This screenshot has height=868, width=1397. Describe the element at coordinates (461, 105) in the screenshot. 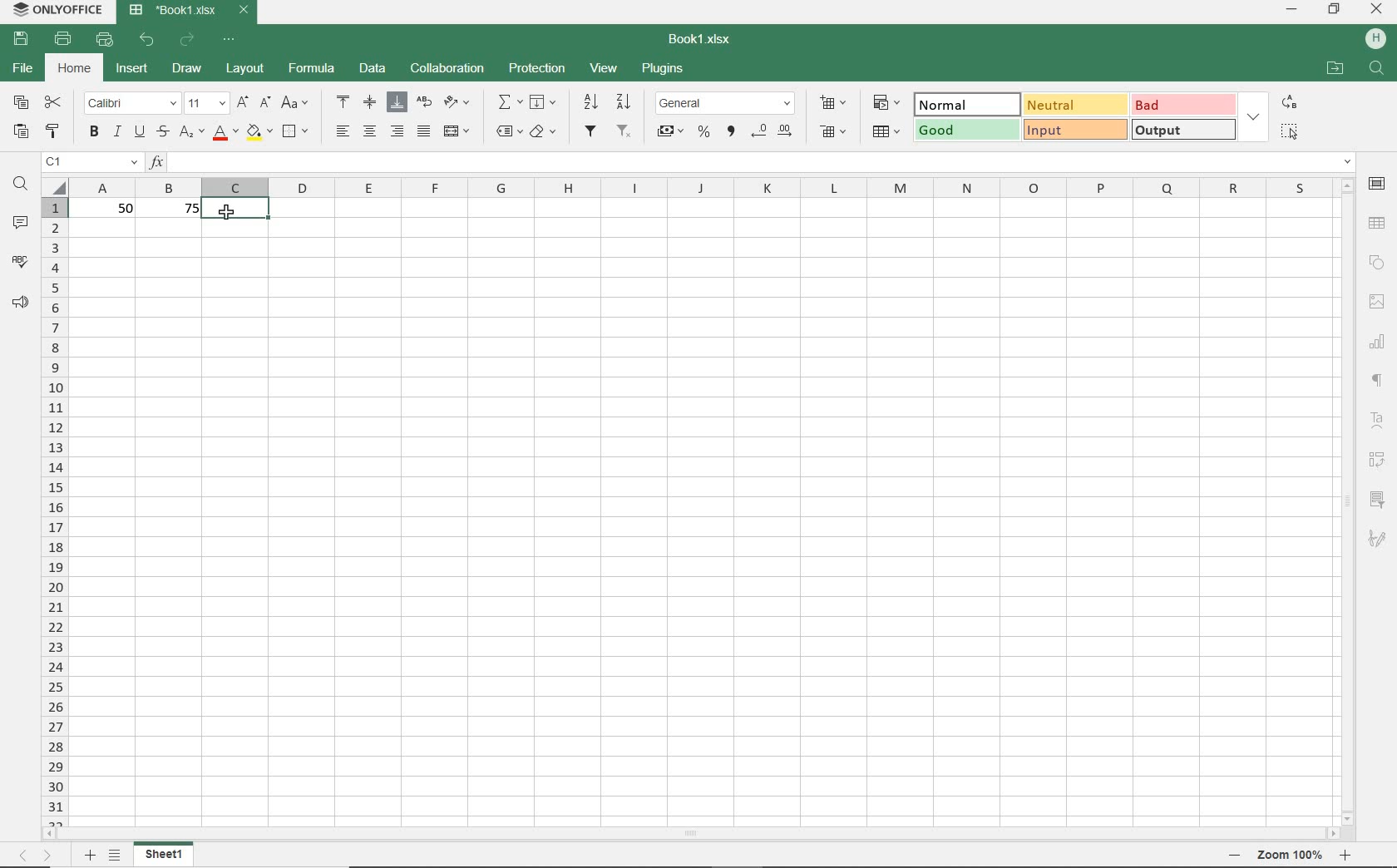

I see `orientation` at that location.